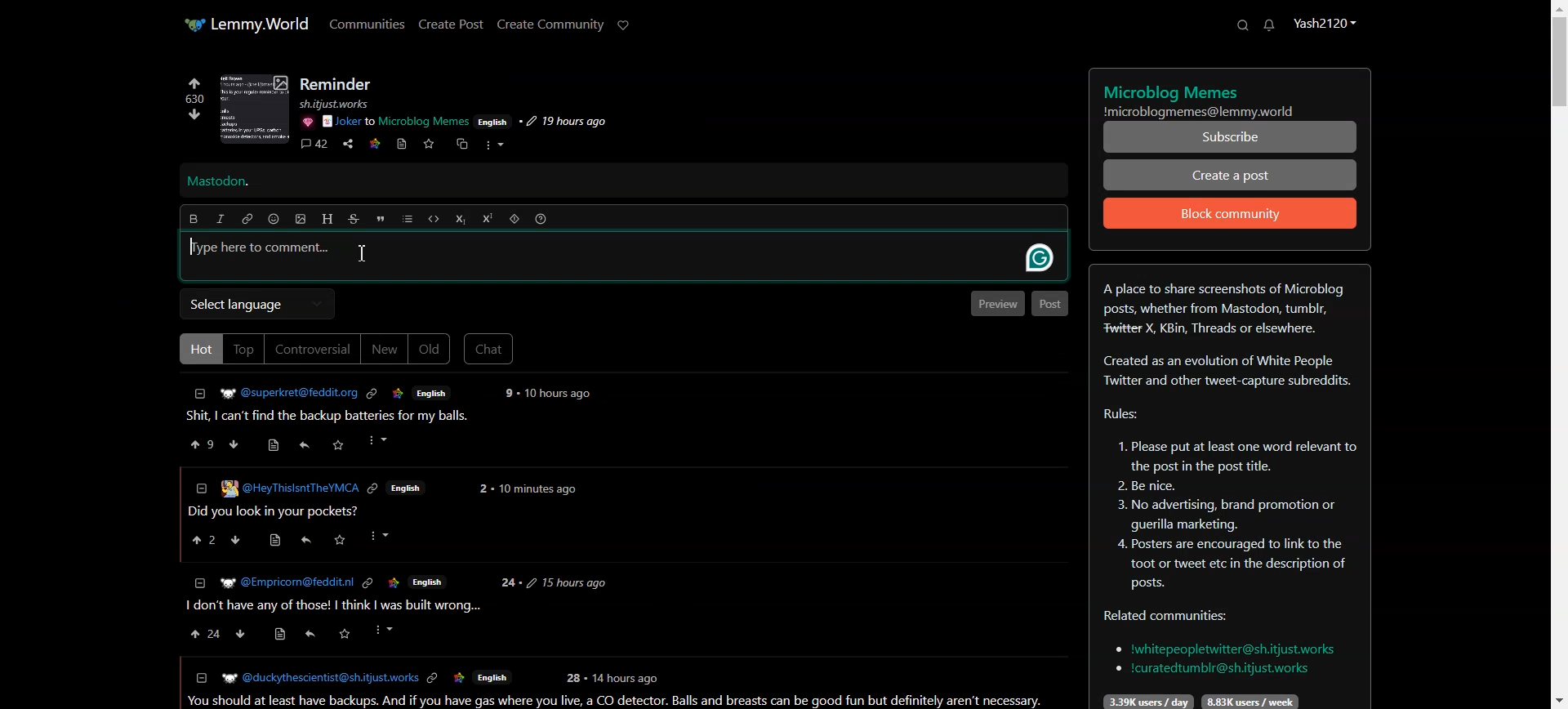 Image resolution: width=1568 pixels, height=709 pixels. Describe the element at coordinates (190, 117) in the screenshot. I see `Down vote` at that location.